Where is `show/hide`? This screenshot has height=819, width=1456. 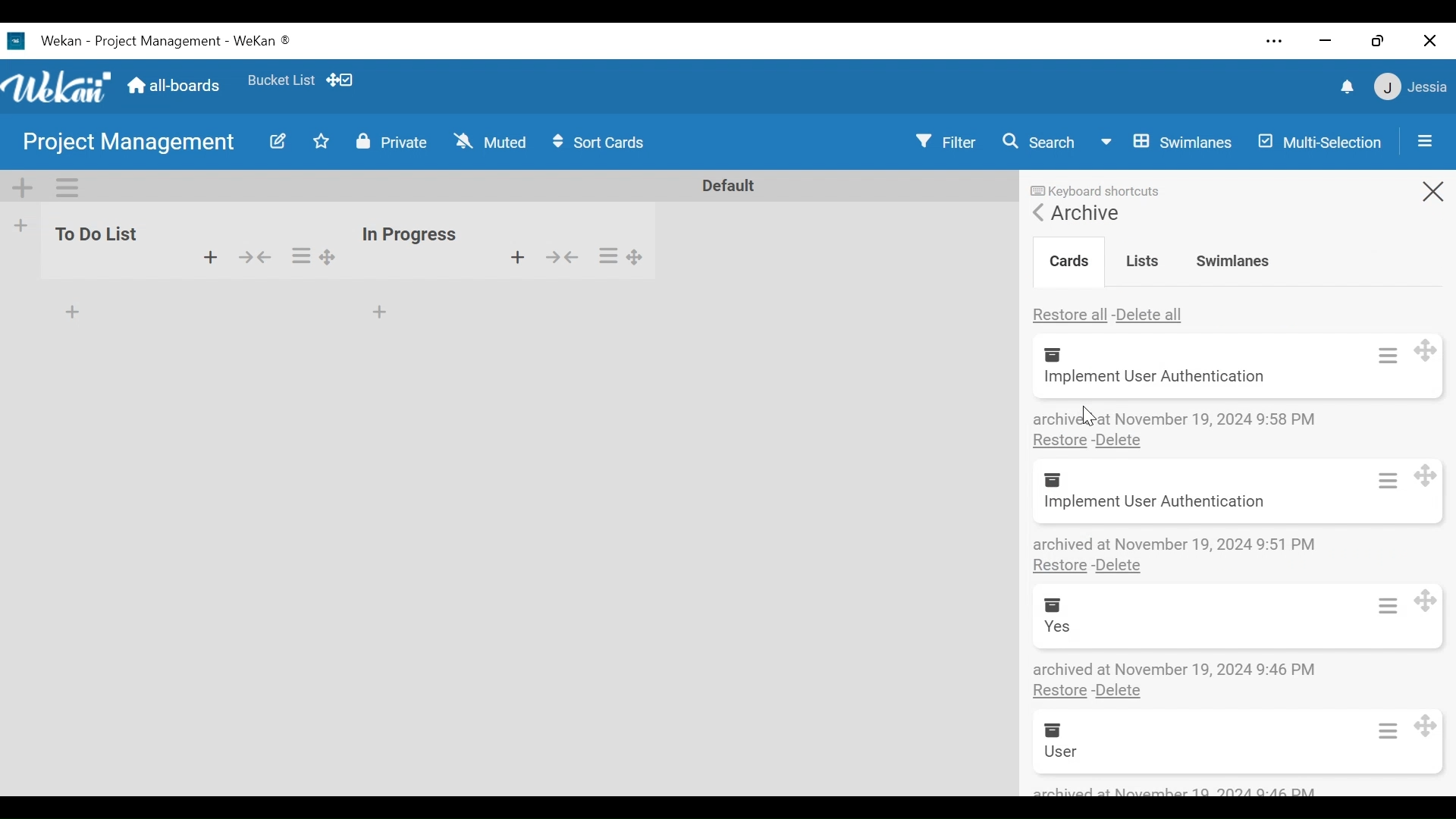 show/hide is located at coordinates (570, 260).